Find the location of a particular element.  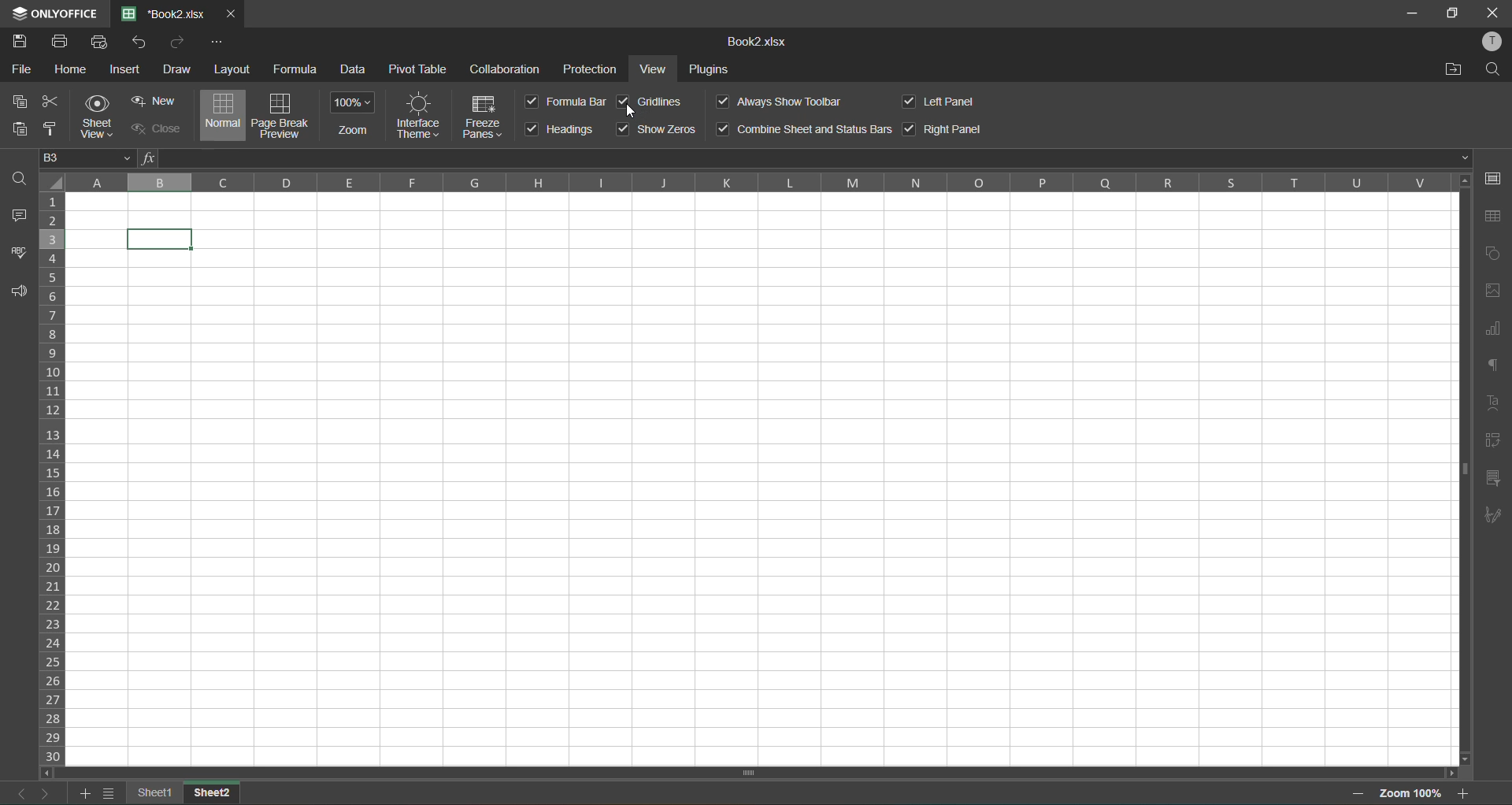

save is located at coordinates (22, 42).